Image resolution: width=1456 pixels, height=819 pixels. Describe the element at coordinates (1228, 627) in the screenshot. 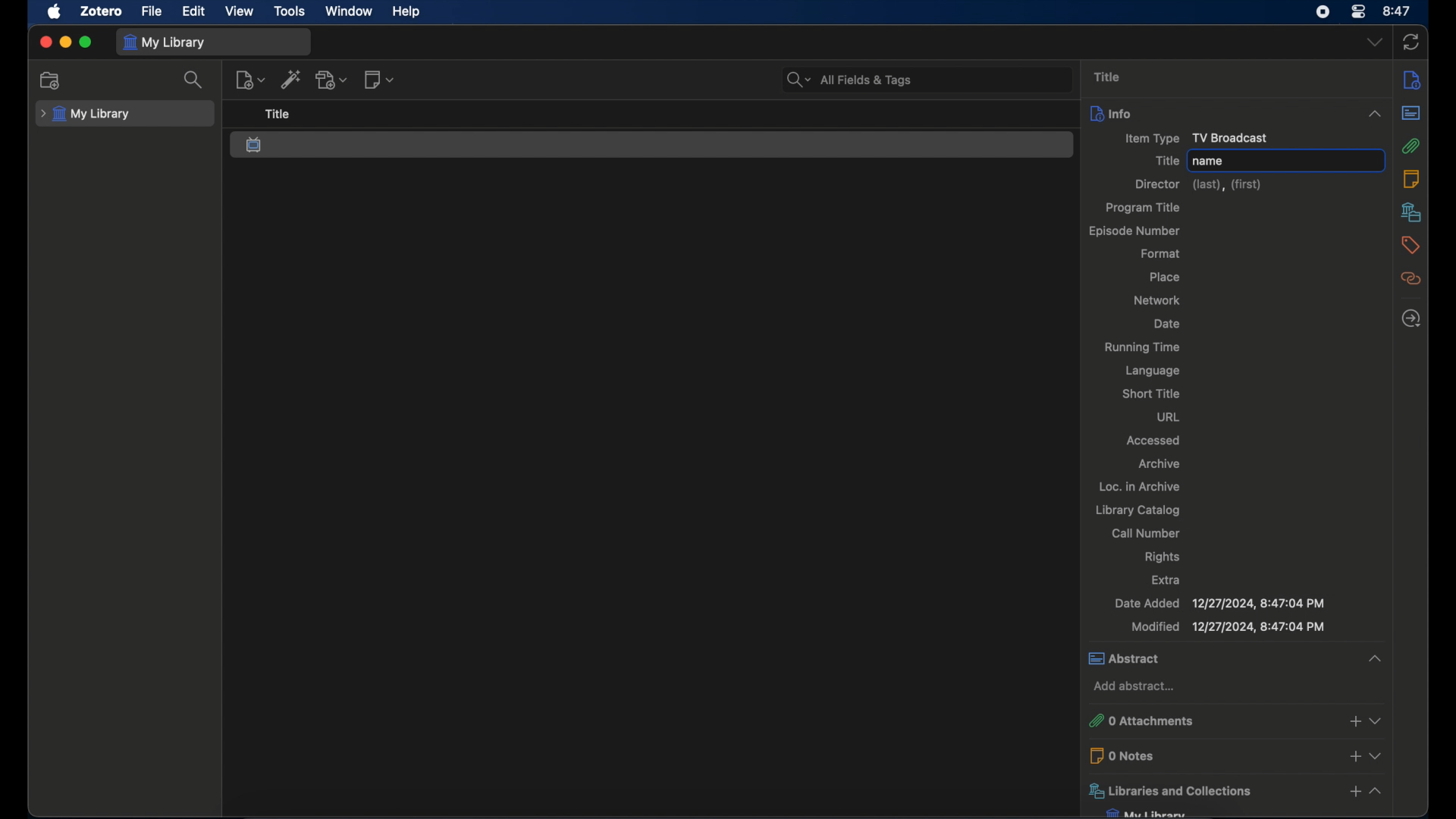

I see `modified` at that location.